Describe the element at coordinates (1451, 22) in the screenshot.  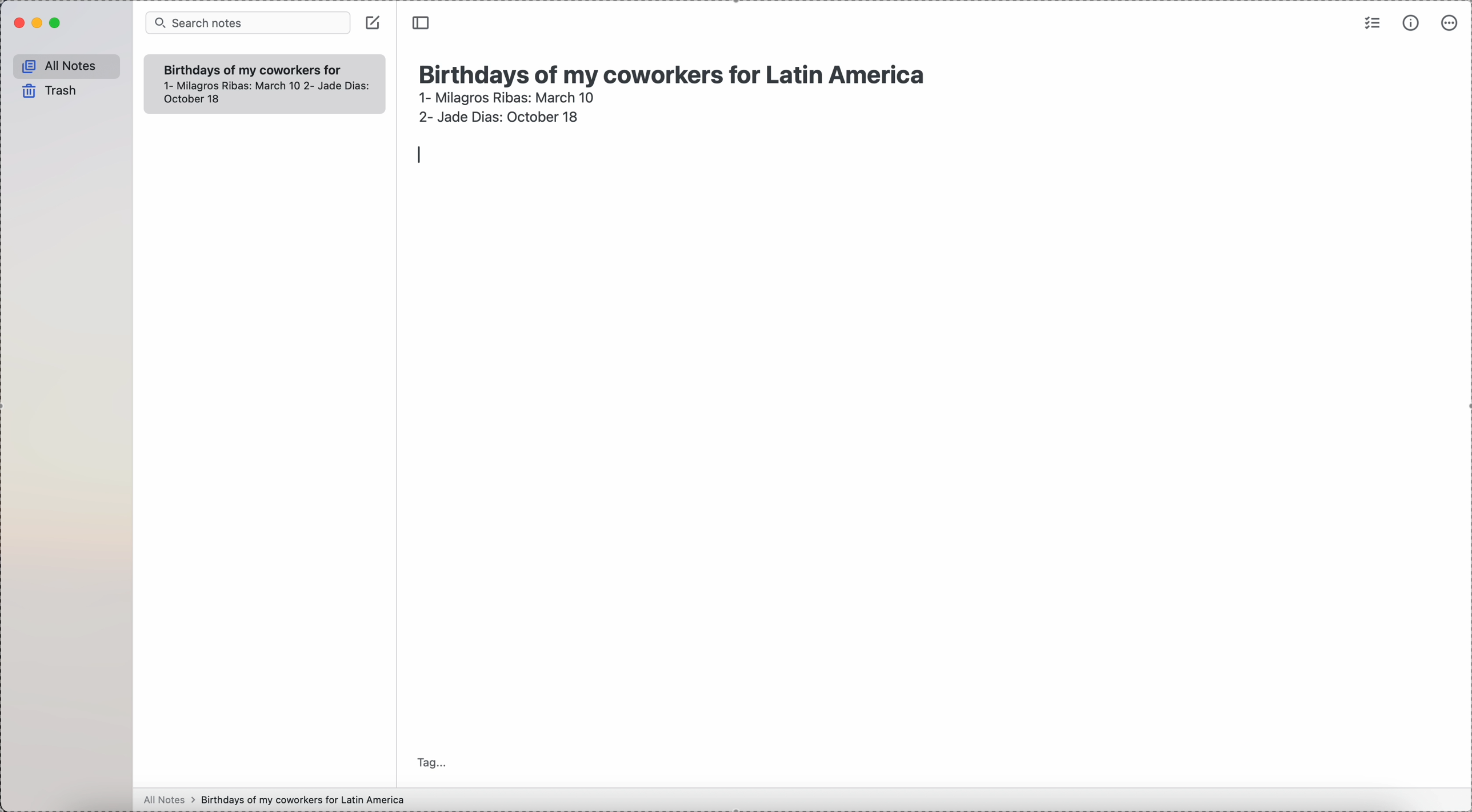
I see `more options` at that location.